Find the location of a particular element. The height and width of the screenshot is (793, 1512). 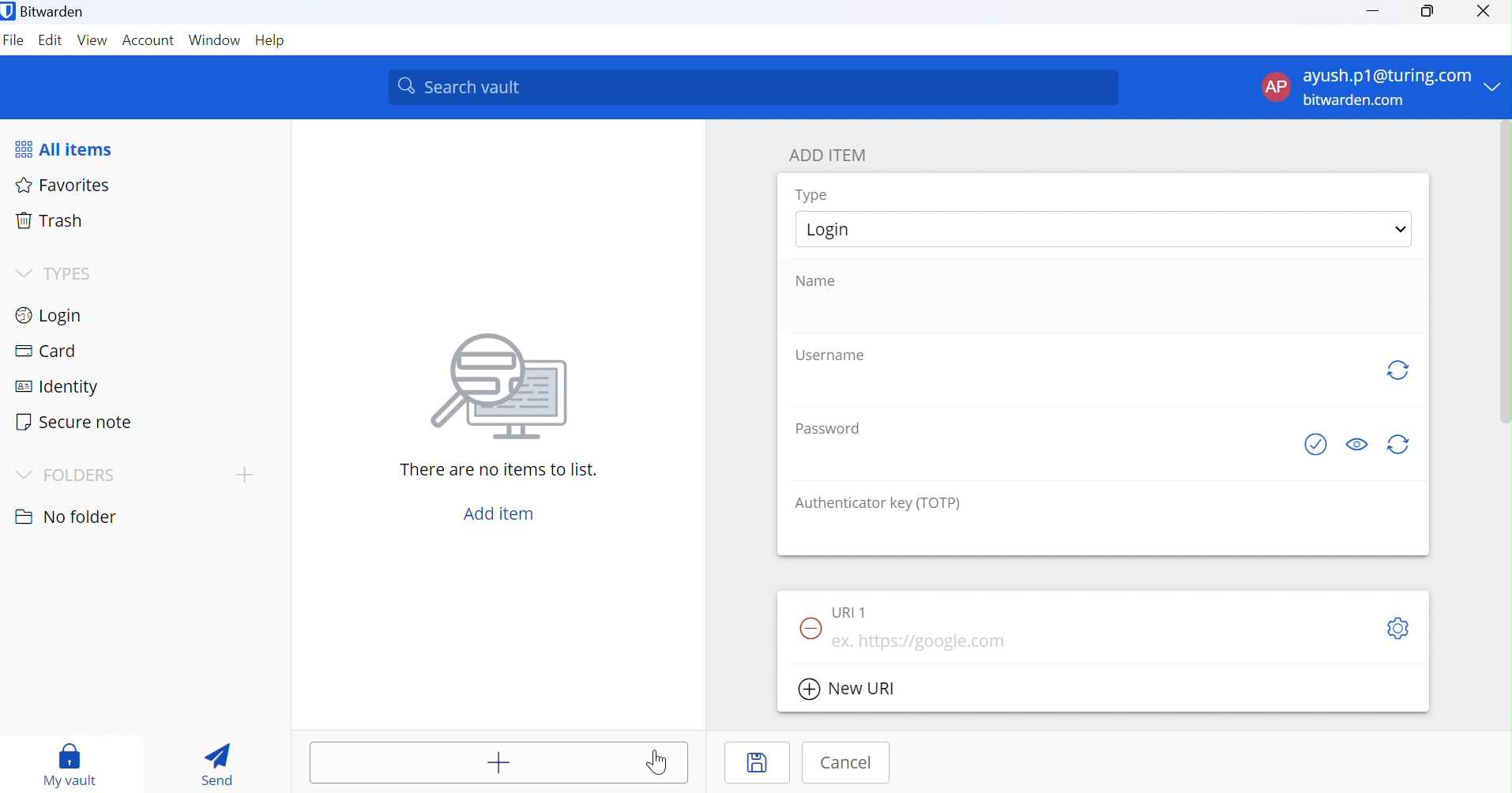

Favorites is located at coordinates (65, 184).